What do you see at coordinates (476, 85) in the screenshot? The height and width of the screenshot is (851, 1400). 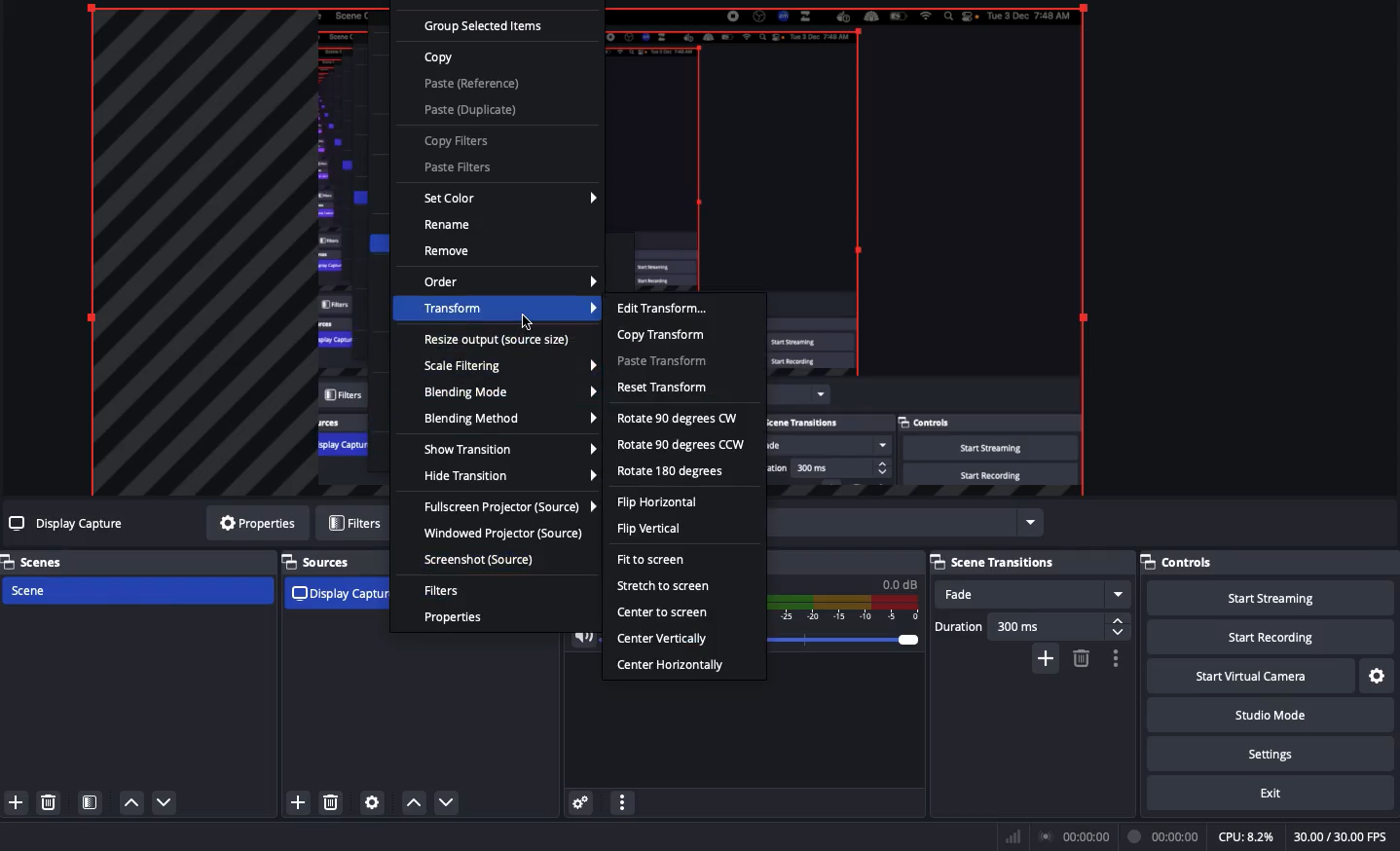 I see `Paste` at bounding box center [476, 85].